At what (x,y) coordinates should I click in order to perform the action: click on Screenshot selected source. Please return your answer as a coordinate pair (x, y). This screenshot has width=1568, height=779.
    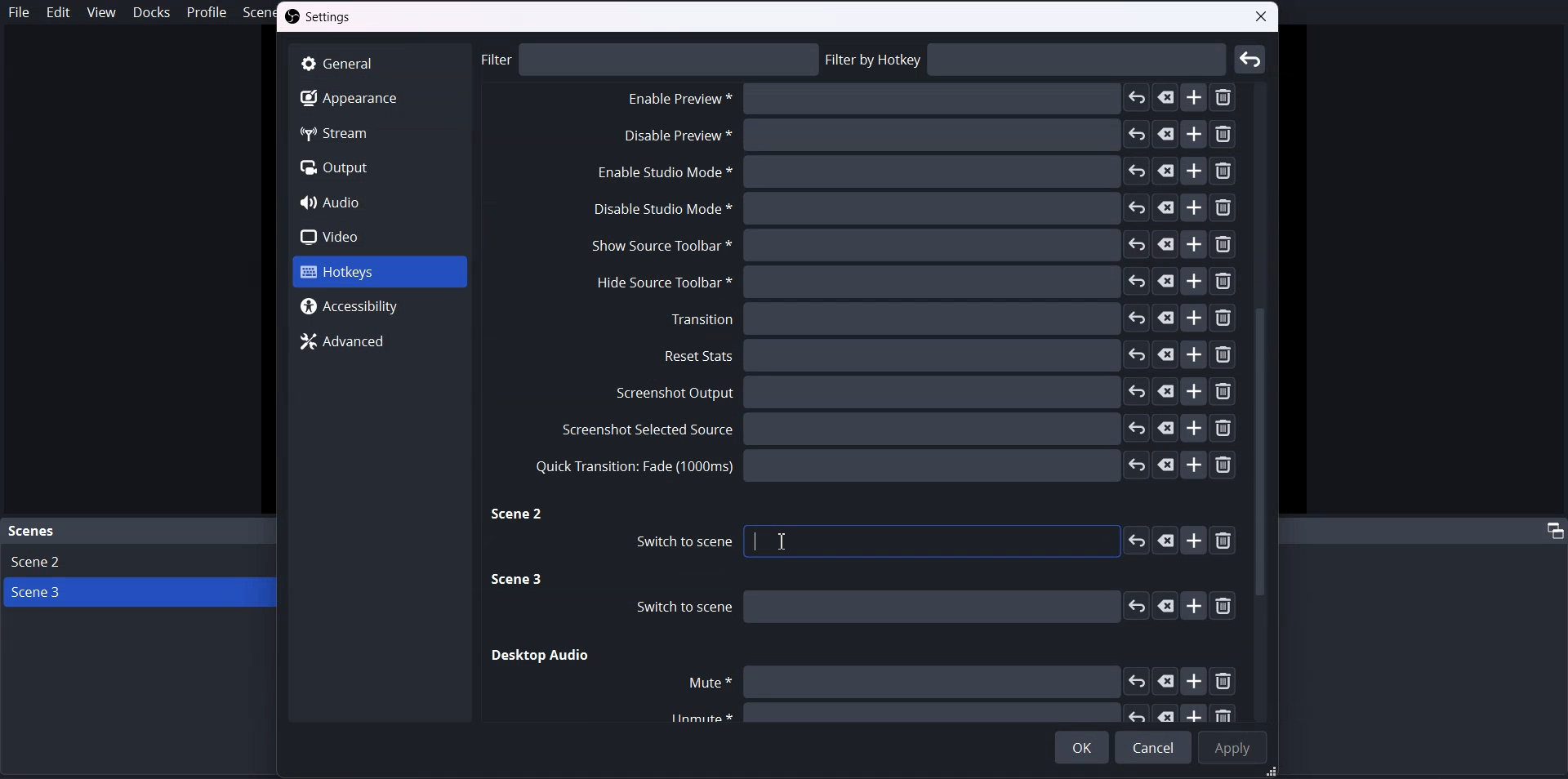
    Looking at the image, I should click on (895, 428).